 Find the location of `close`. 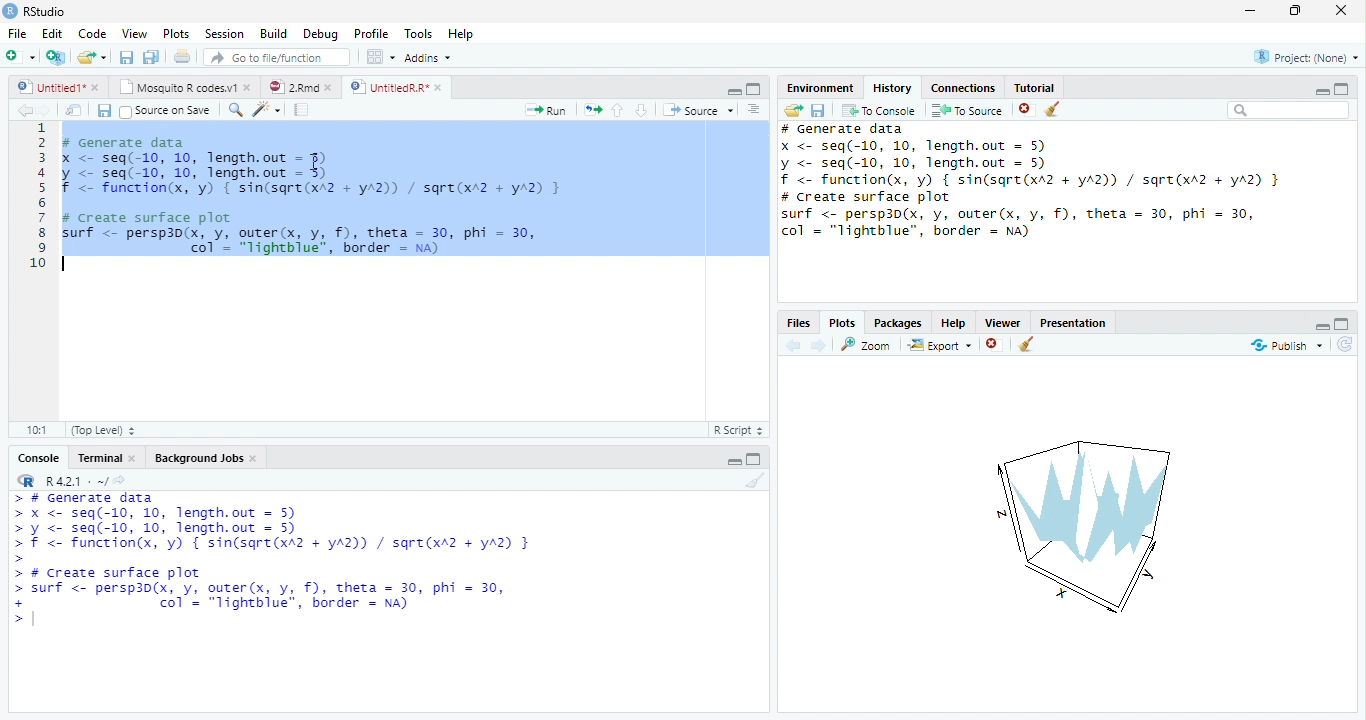

close is located at coordinates (438, 87).